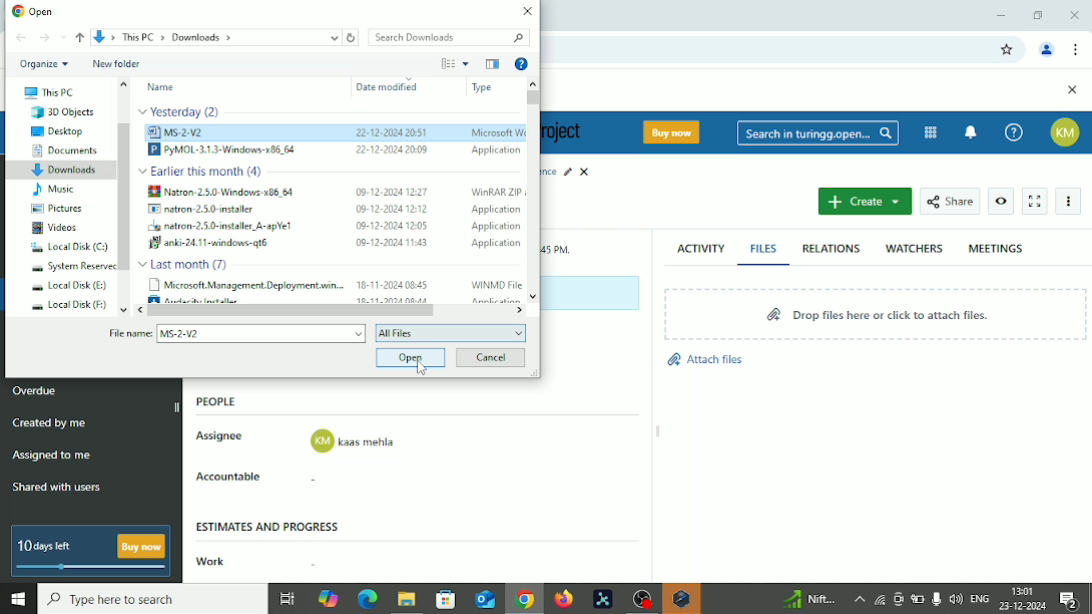 The image size is (1092, 614). Describe the element at coordinates (181, 111) in the screenshot. I see `files modified Yesterday (2)` at that location.